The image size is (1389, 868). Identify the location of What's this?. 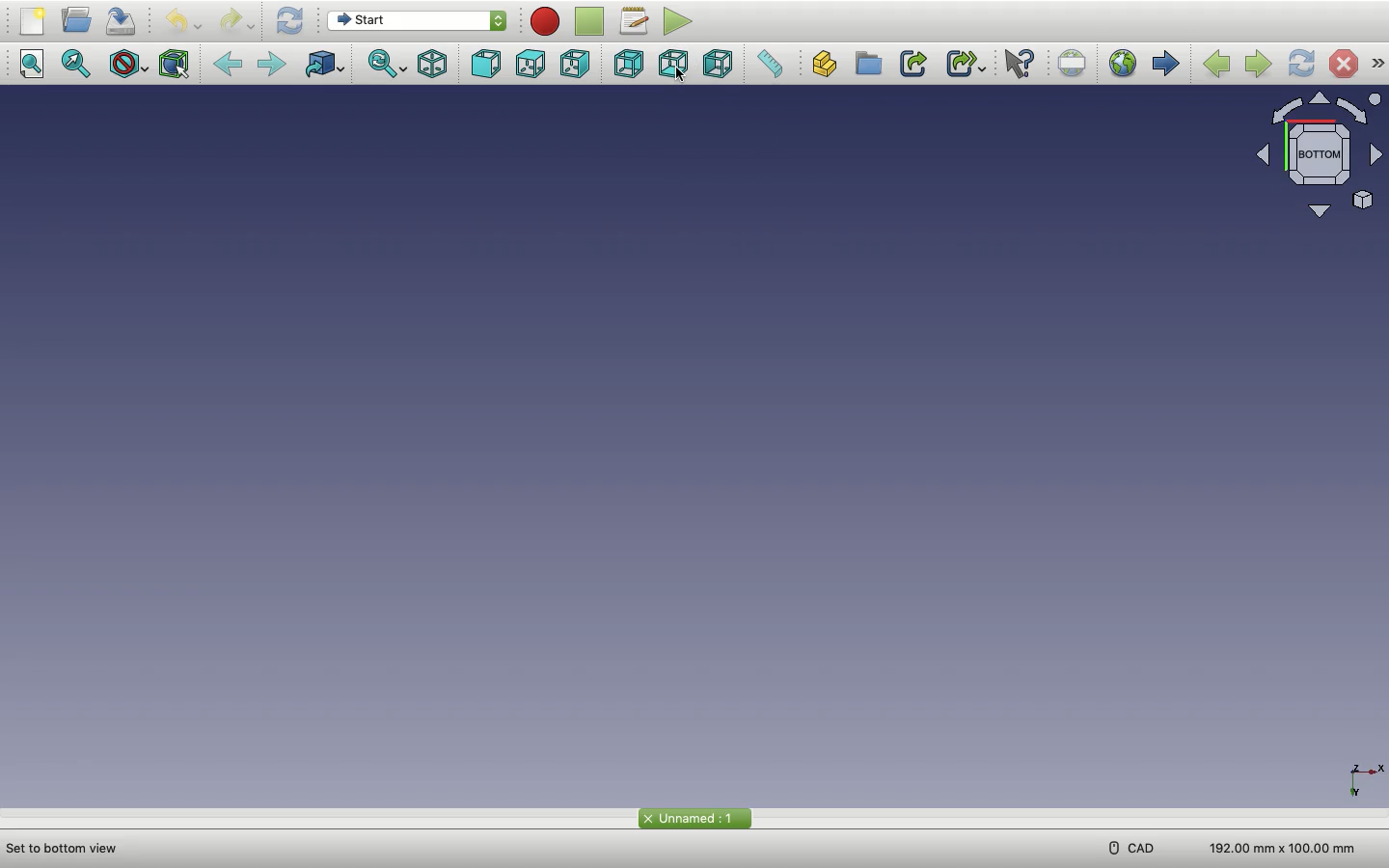
(1024, 64).